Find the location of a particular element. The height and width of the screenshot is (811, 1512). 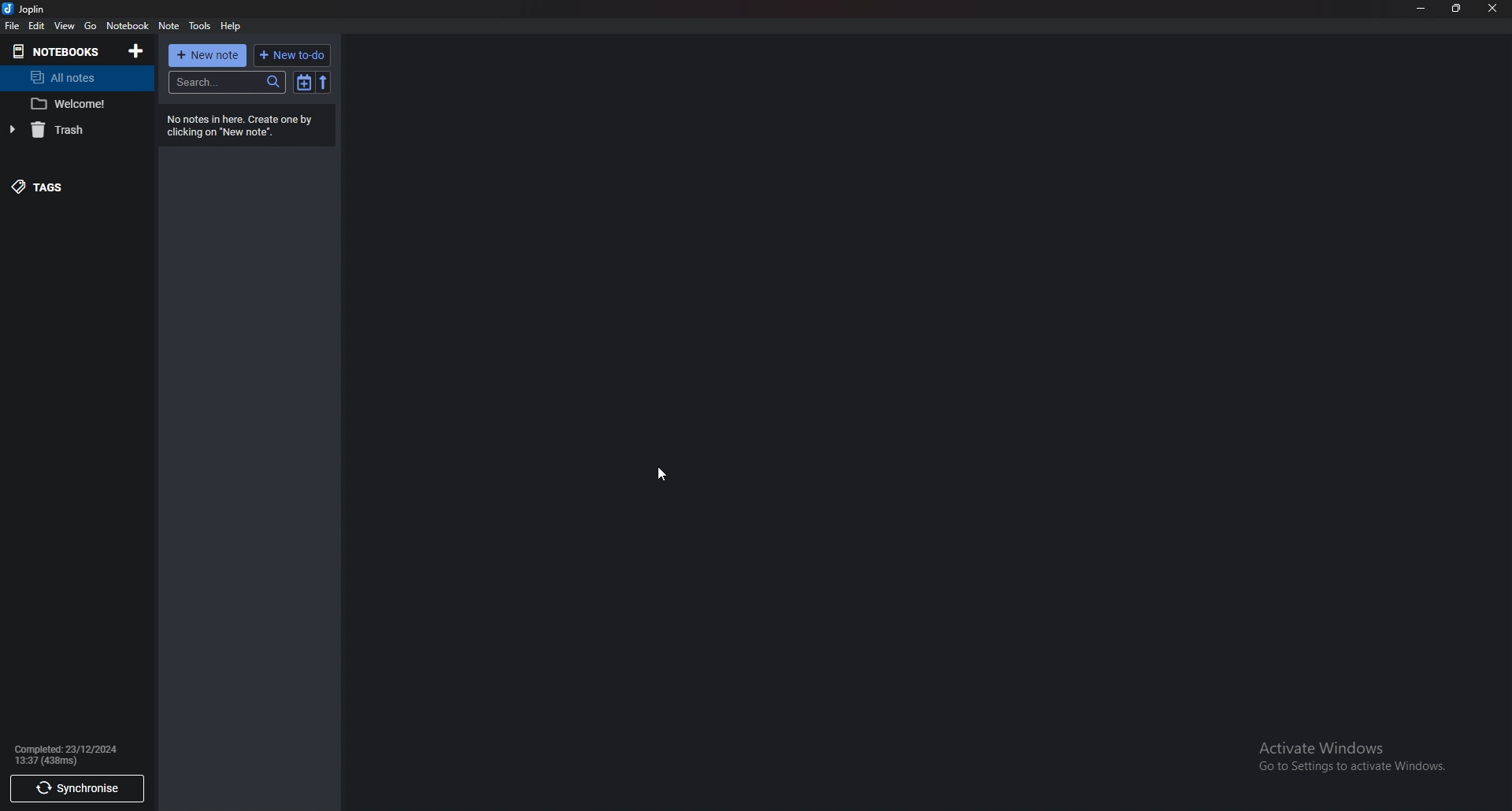

all notes is located at coordinates (80, 78).